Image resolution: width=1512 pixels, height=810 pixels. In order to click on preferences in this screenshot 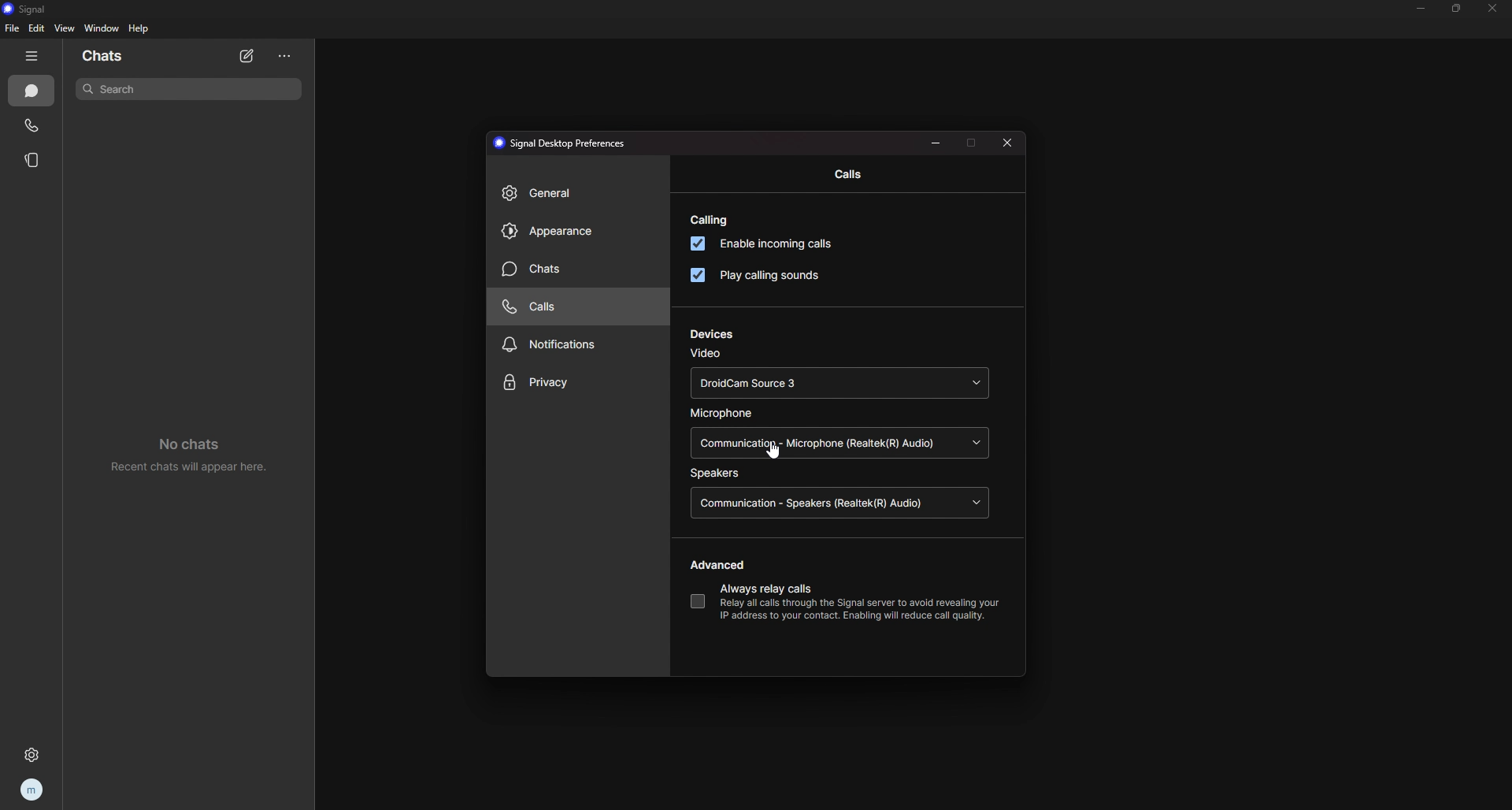, I will do `click(564, 143)`.